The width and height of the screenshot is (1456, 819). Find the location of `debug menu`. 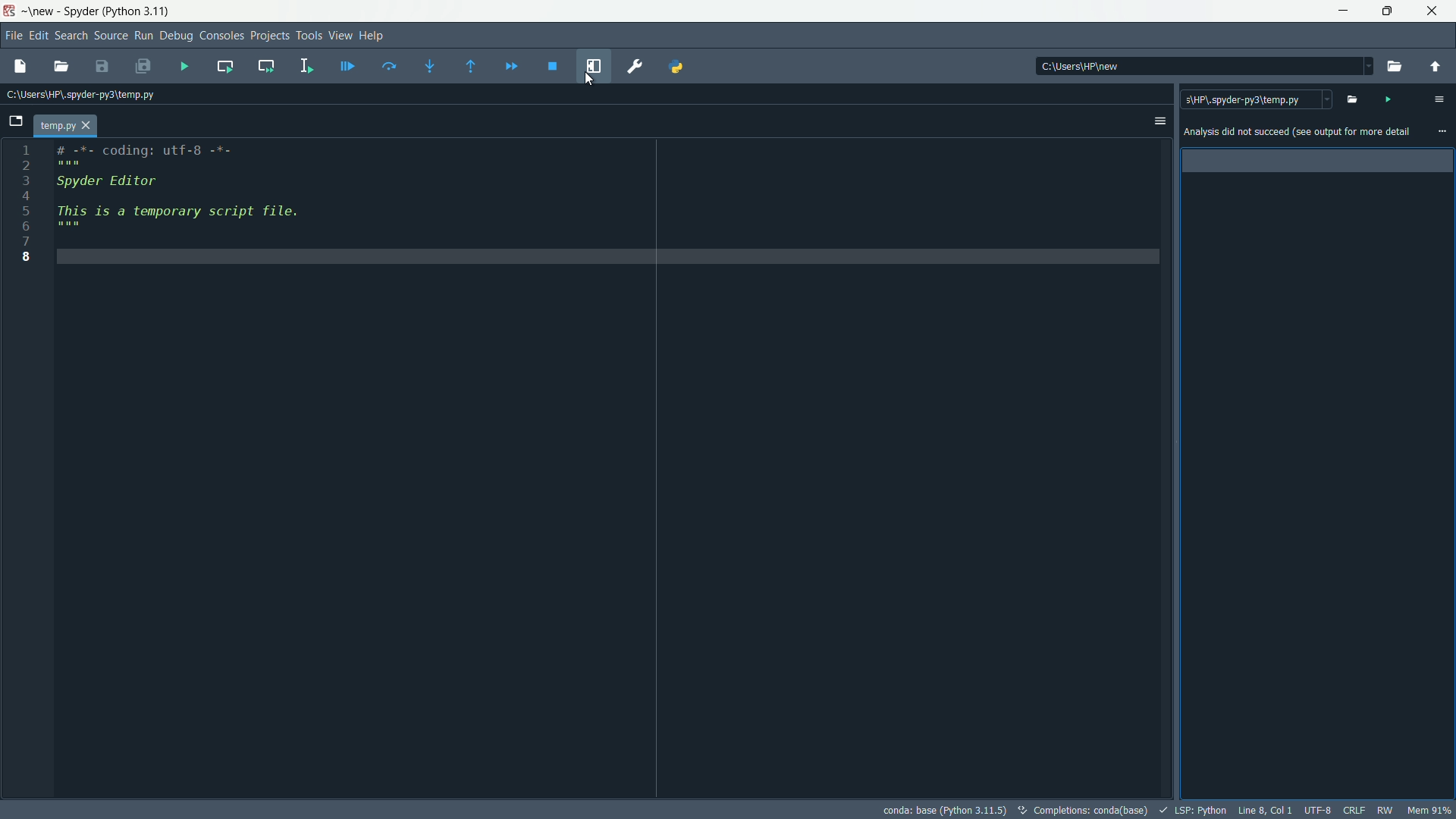

debug menu is located at coordinates (175, 35).